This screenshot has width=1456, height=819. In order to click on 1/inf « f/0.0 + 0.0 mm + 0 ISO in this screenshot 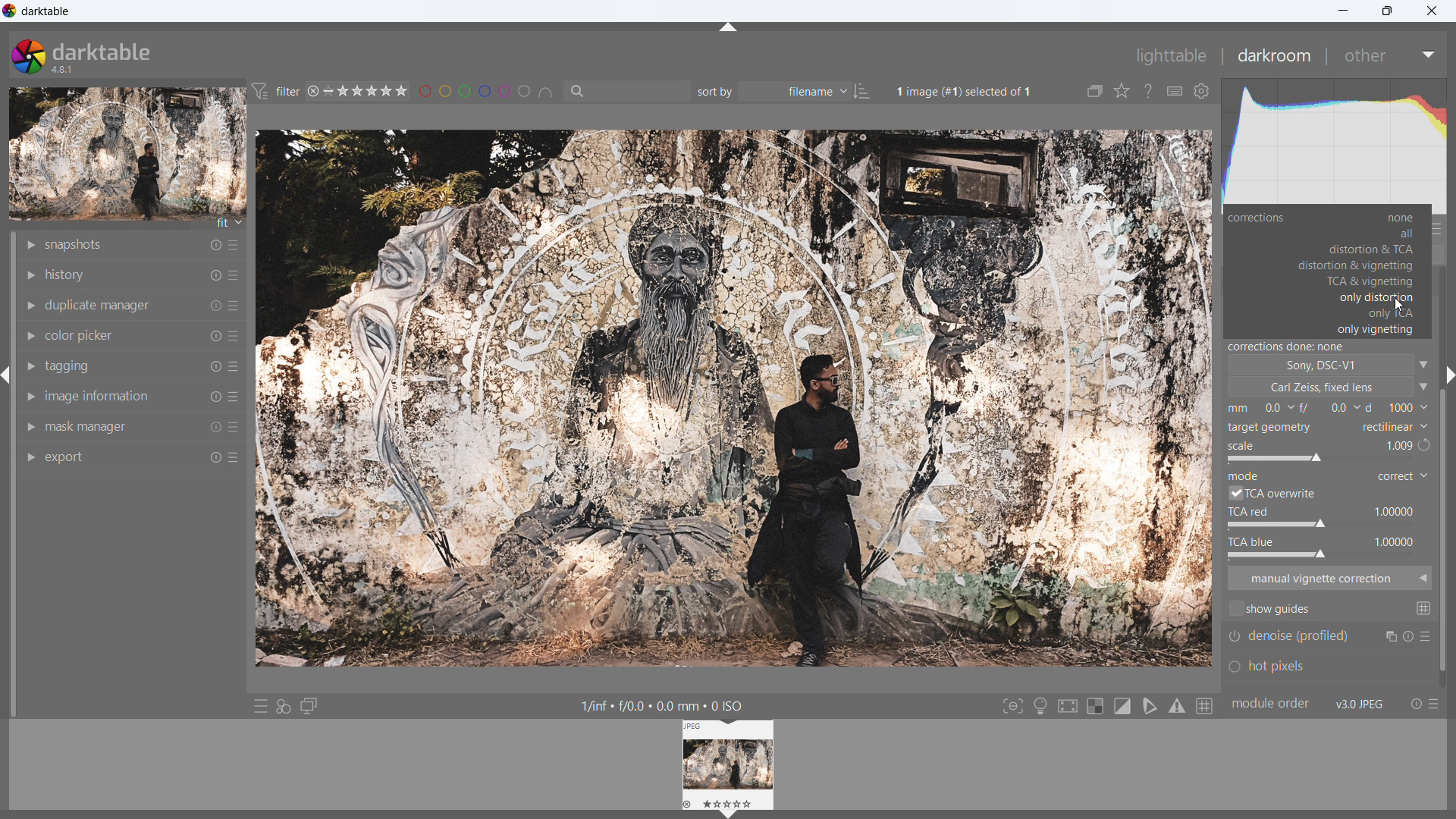, I will do `click(661, 704)`.